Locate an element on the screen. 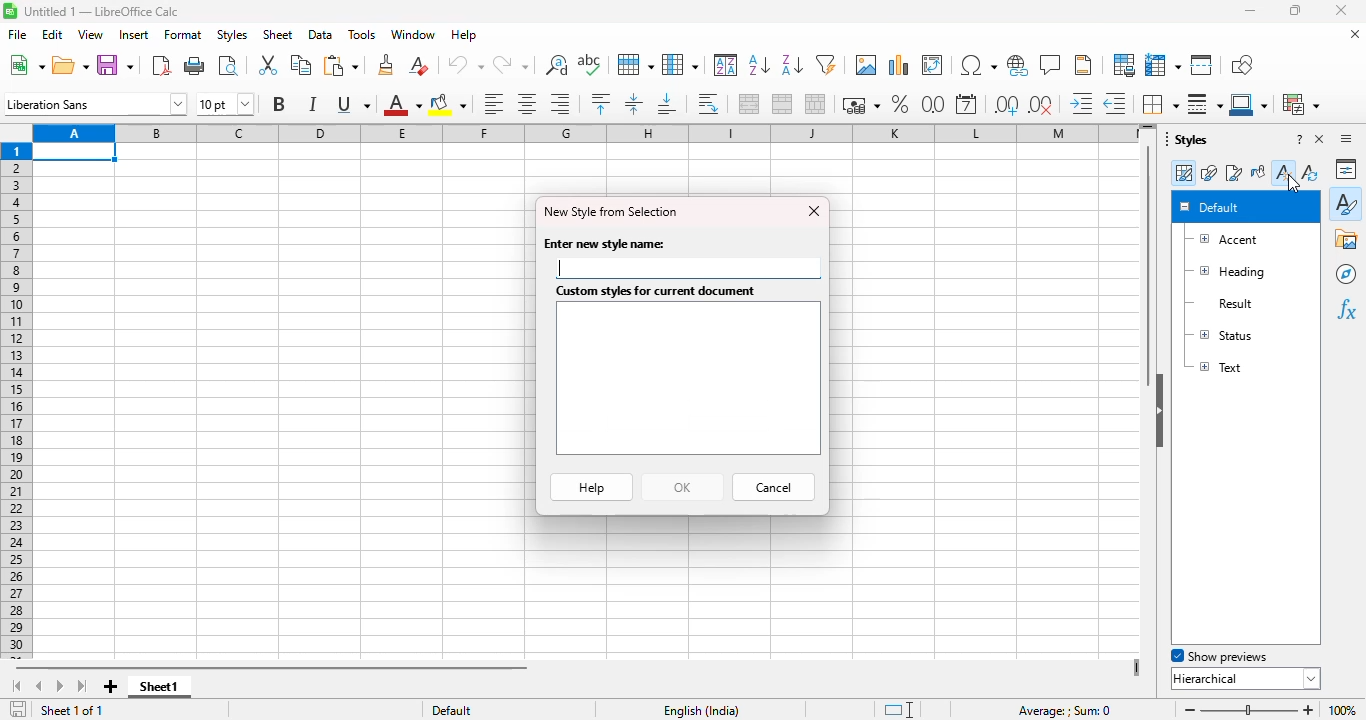 This screenshot has width=1366, height=720. bold is located at coordinates (277, 104).